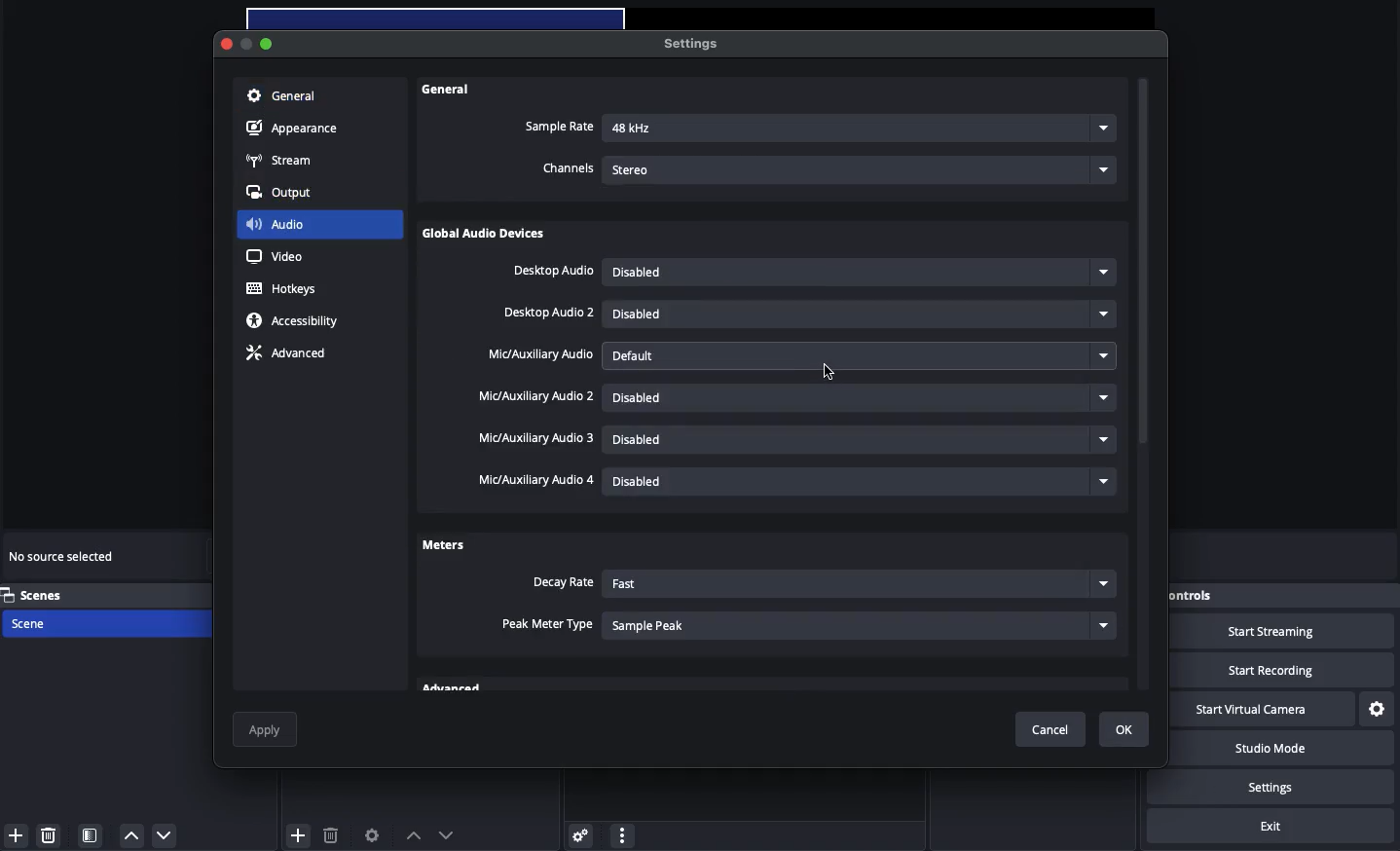 The height and width of the screenshot is (851, 1400). Describe the element at coordinates (281, 97) in the screenshot. I see `General` at that location.